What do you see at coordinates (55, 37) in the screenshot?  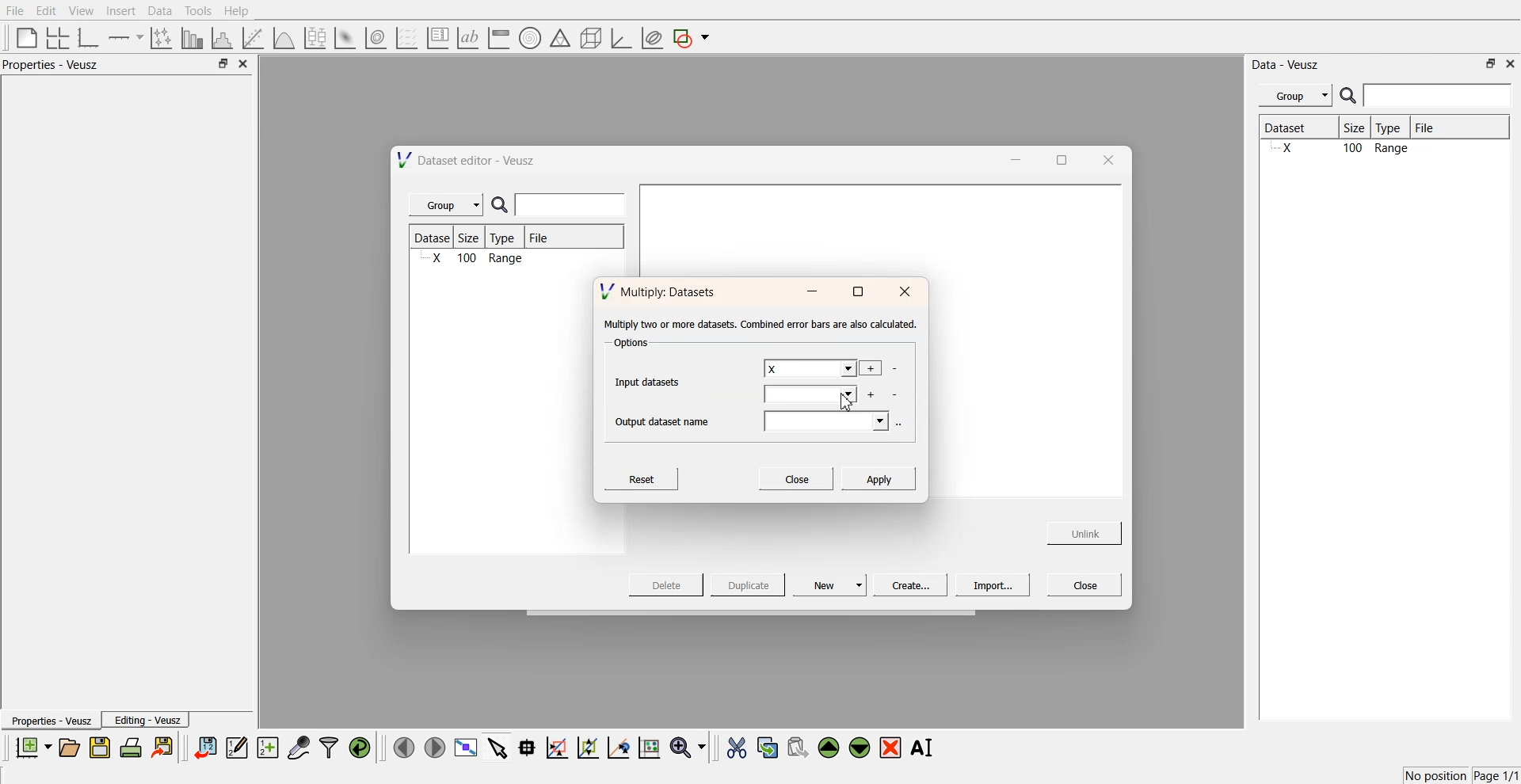 I see `arrange graphs` at bounding box center [55, 37].